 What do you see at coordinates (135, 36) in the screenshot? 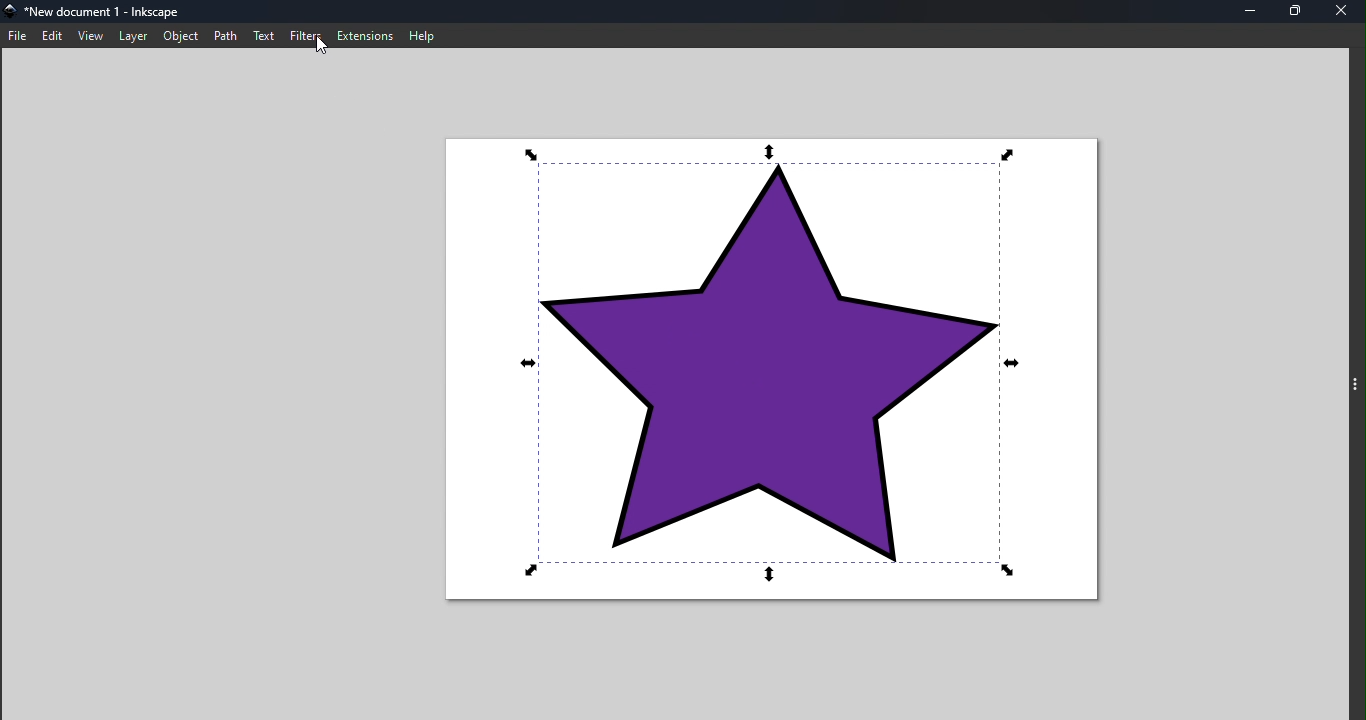
I see `Layer` at bounding box center [135, 36].